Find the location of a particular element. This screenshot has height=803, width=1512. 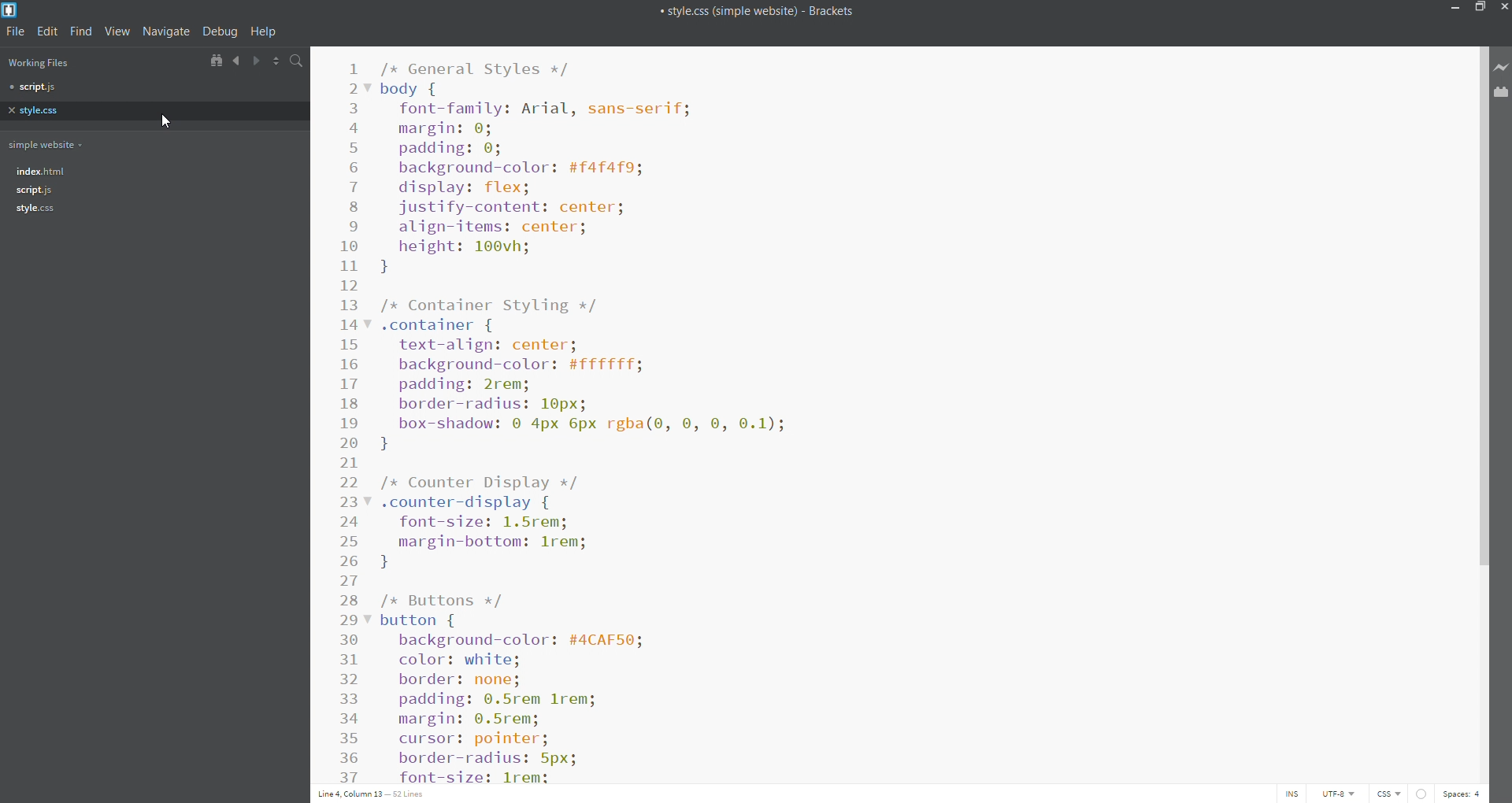

show in file tree is located at coordinates (216, 61).